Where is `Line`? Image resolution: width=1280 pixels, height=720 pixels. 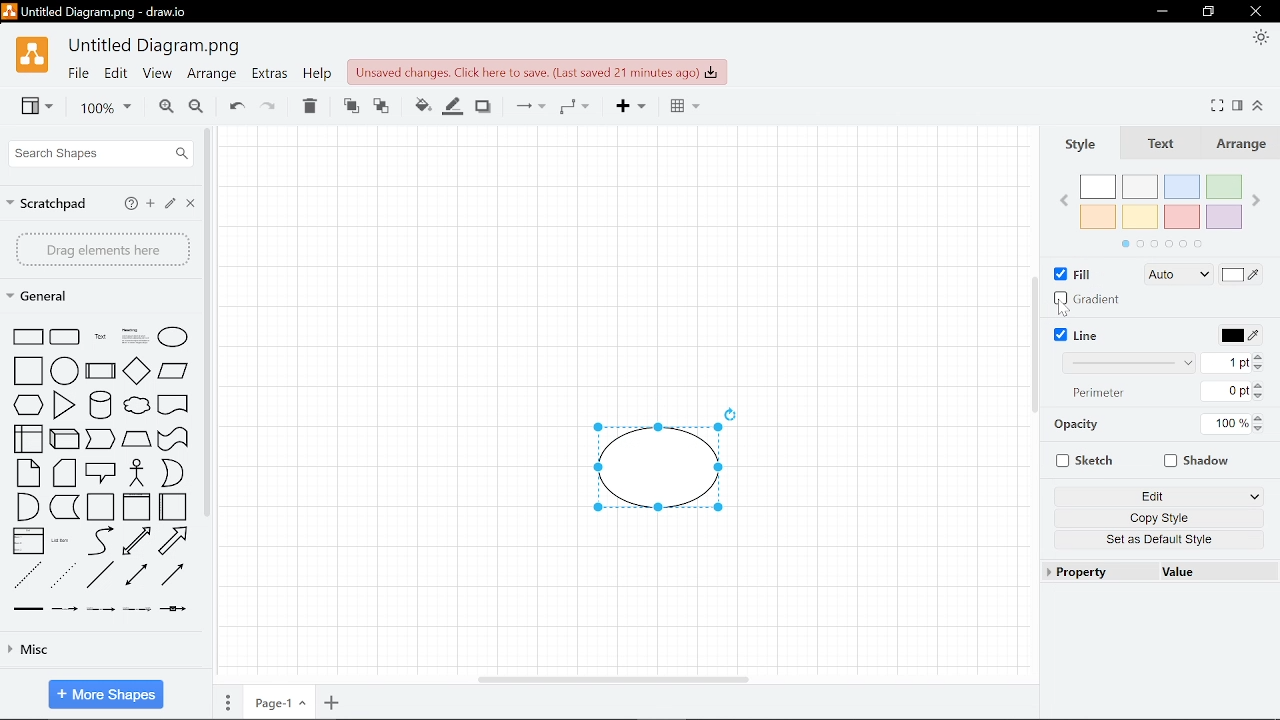 Line is located at coordinates (1077, 335).